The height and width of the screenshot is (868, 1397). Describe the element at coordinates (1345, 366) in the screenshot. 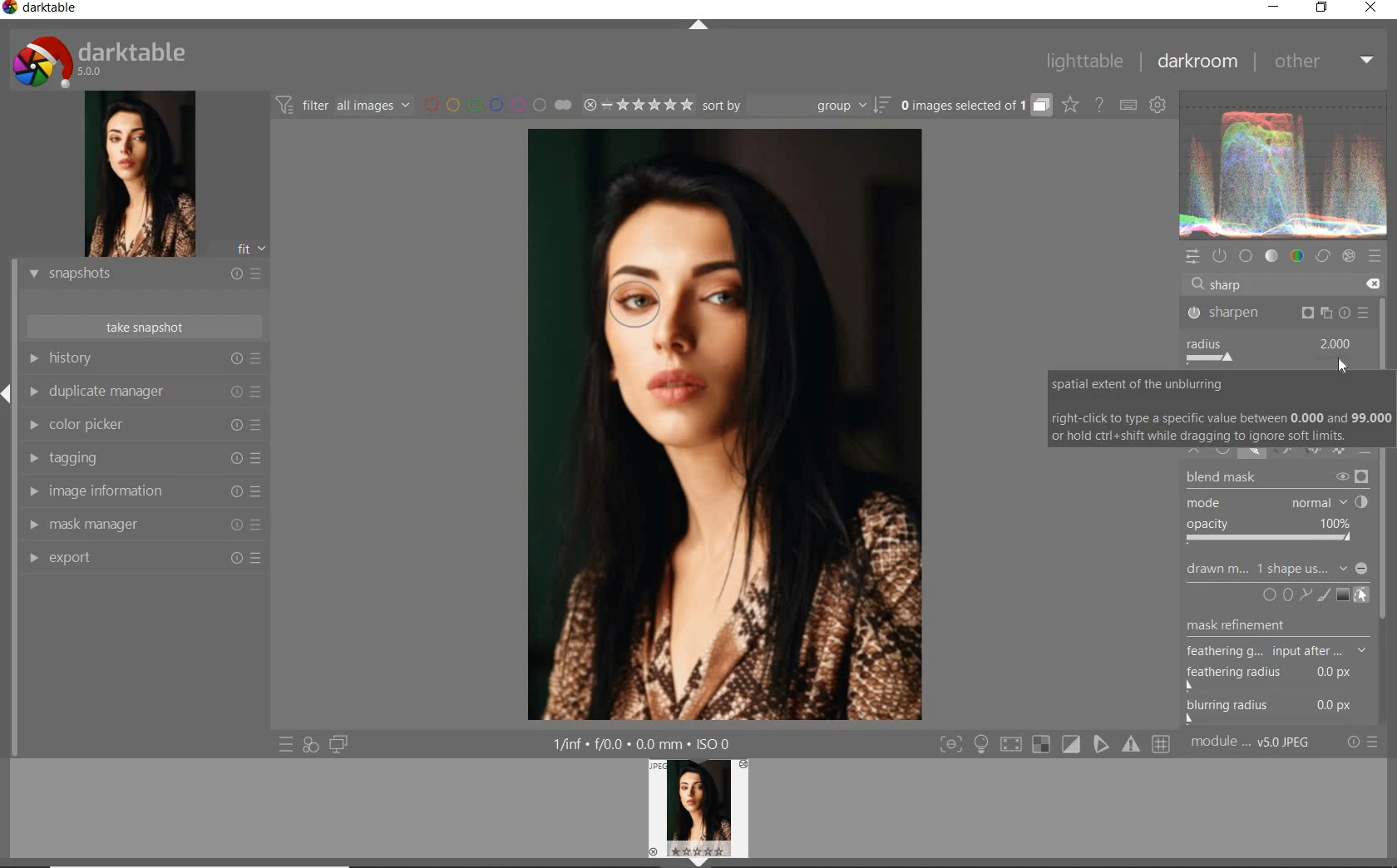

I see `Cursor Position` at that location.